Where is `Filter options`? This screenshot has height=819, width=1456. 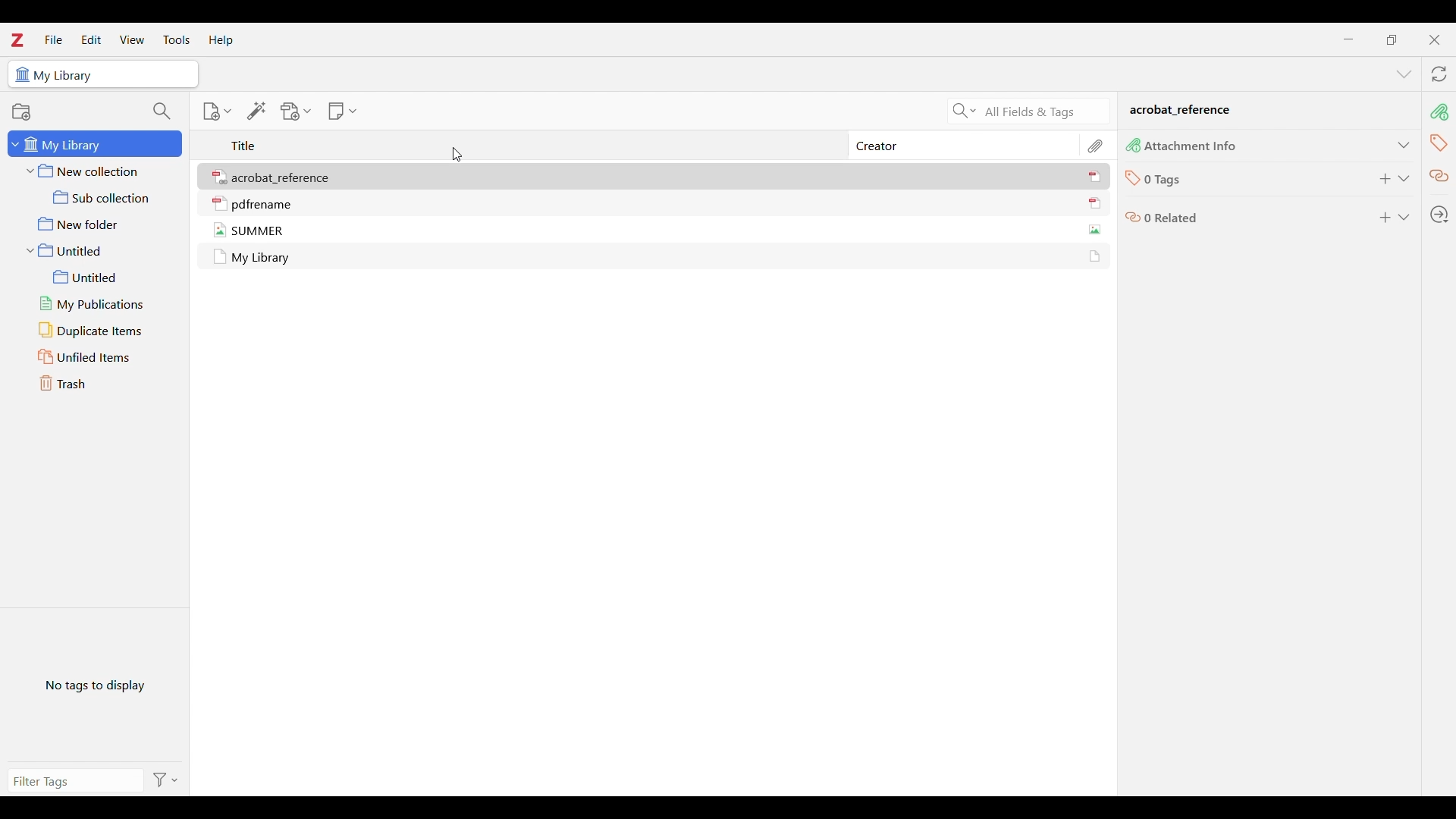 Filter options is located at coordinates (163, 780).